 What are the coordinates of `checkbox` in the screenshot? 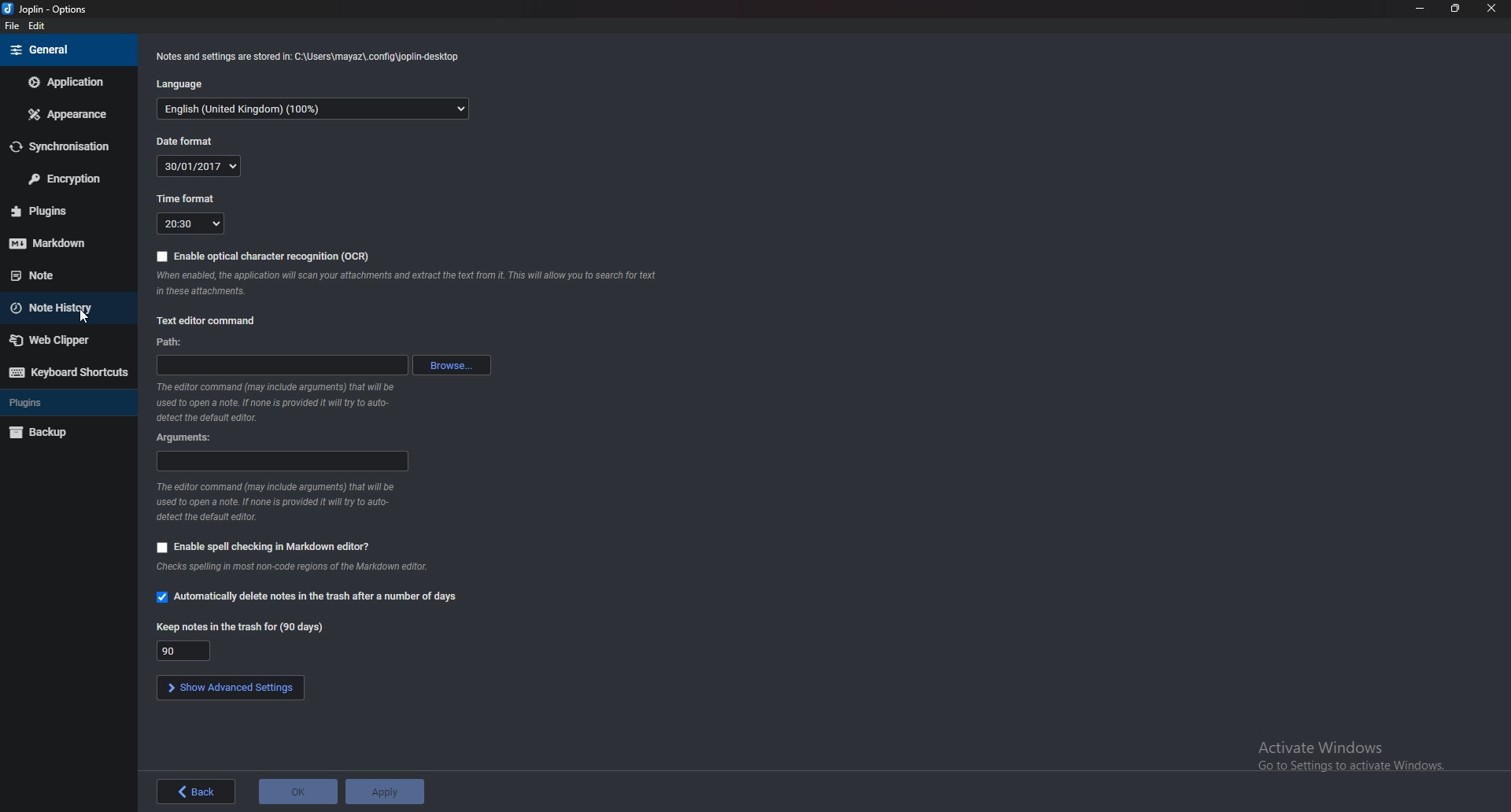 It's located at (162, 596).